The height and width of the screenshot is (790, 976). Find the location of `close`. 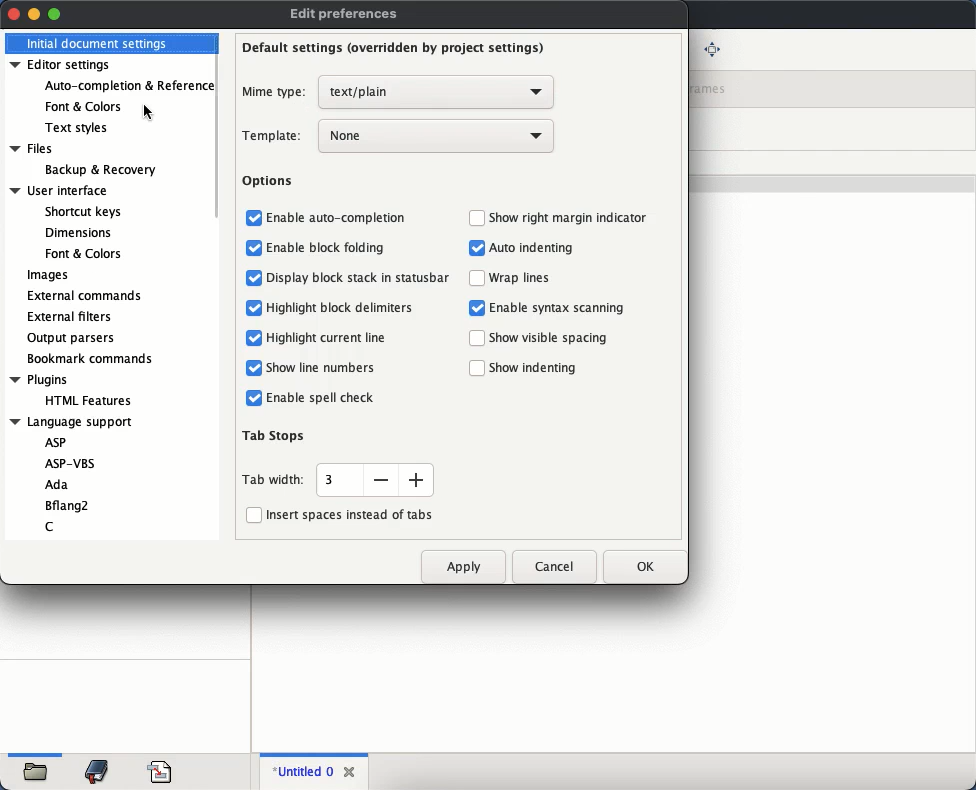

close is located at coordinates (14, 13).